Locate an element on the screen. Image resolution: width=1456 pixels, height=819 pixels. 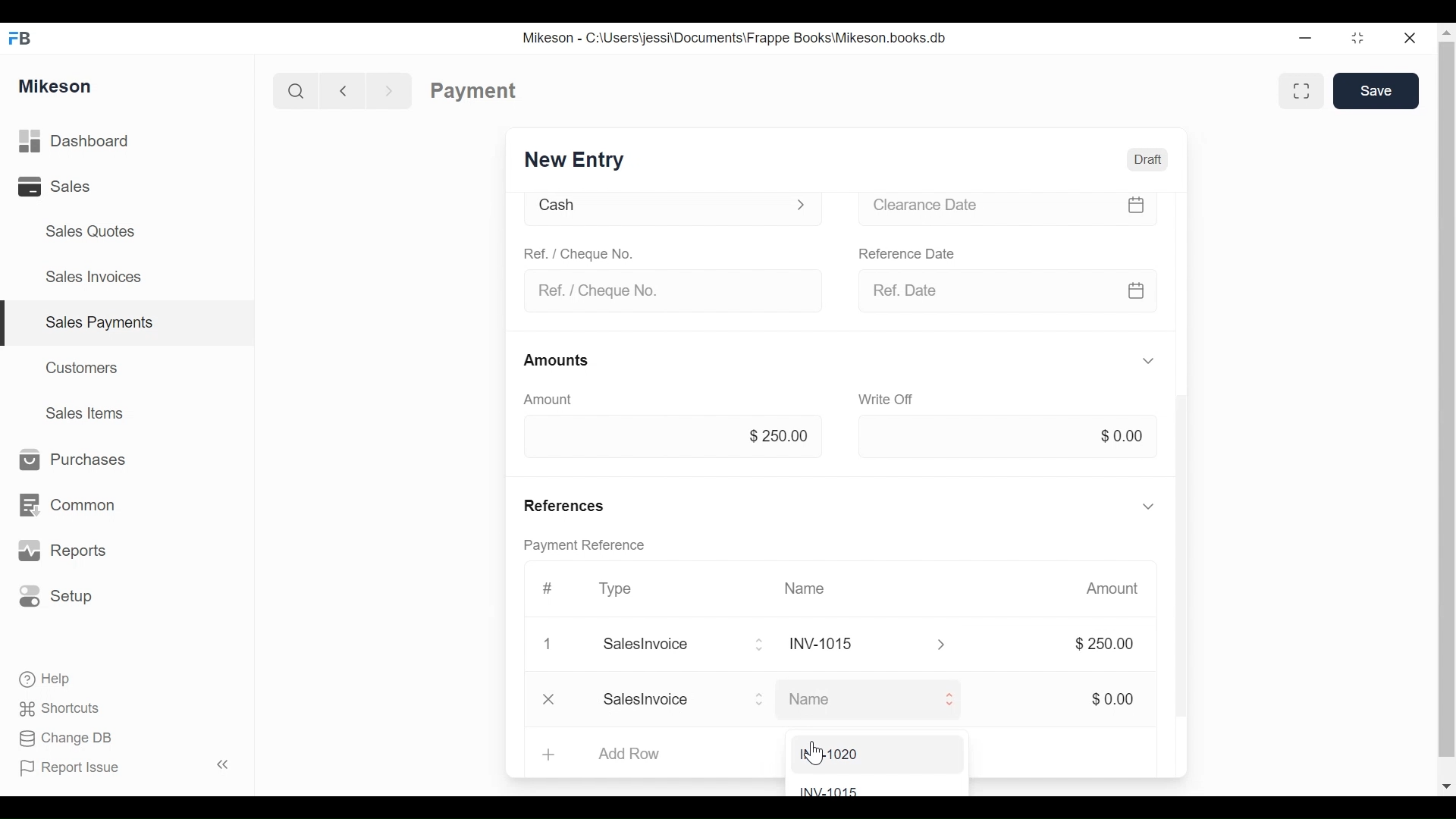
Sales is located at coordinates (53, 188).